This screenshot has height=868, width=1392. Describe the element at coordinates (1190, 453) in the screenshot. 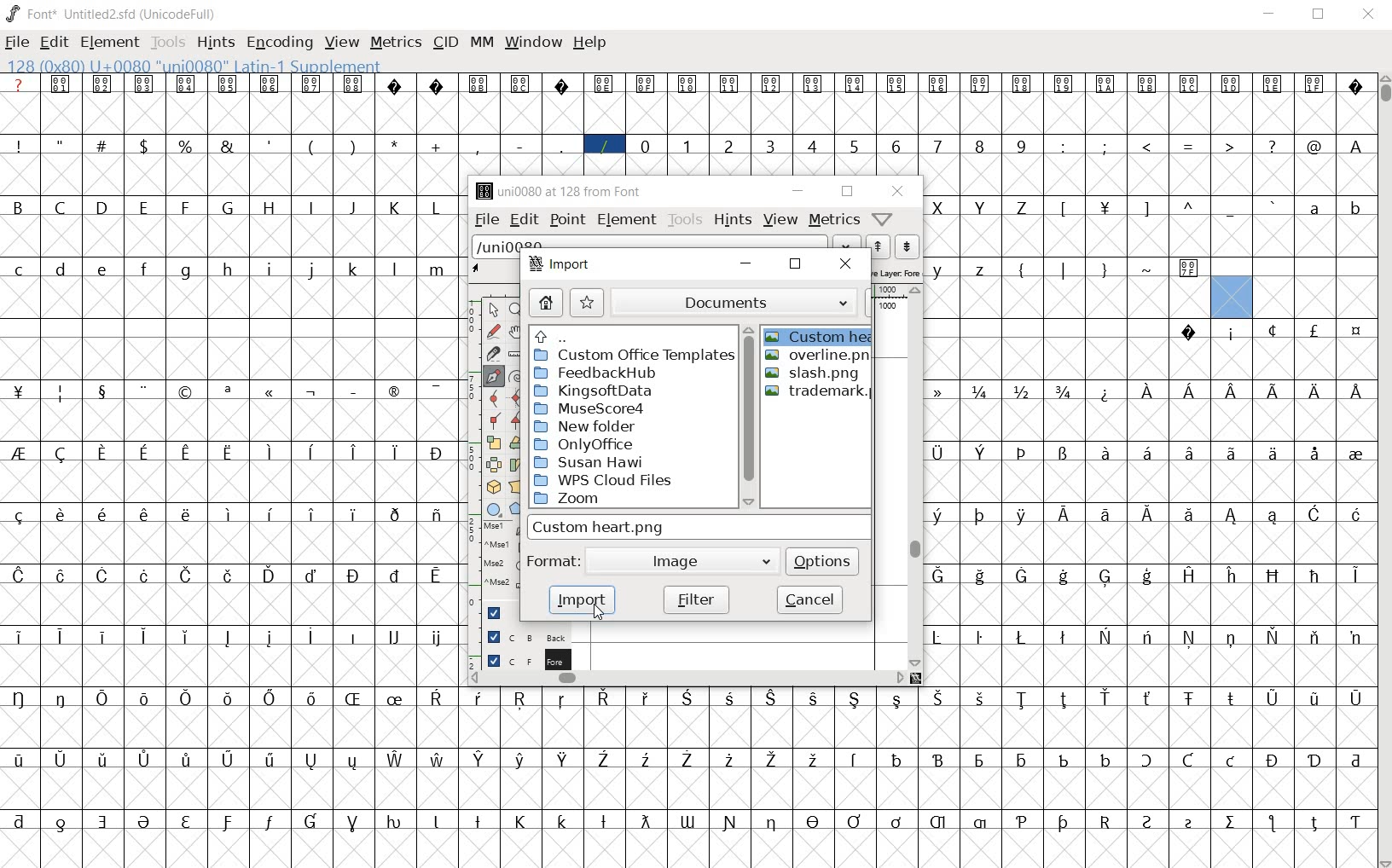

I see `glyph` at that location.